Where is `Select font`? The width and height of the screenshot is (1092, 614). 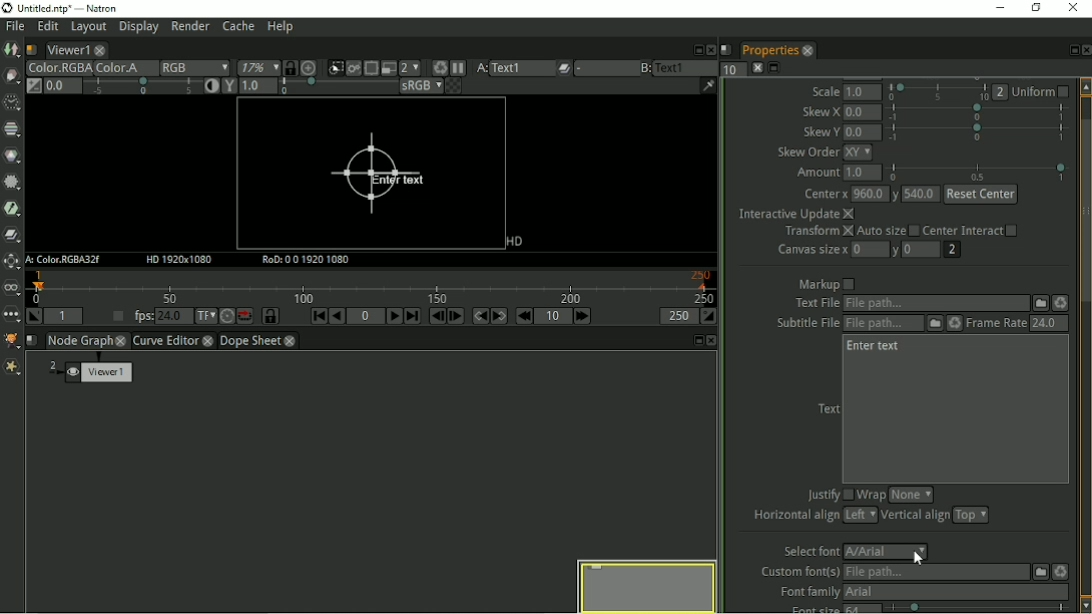 Select font is located at coordinates (807, 551).